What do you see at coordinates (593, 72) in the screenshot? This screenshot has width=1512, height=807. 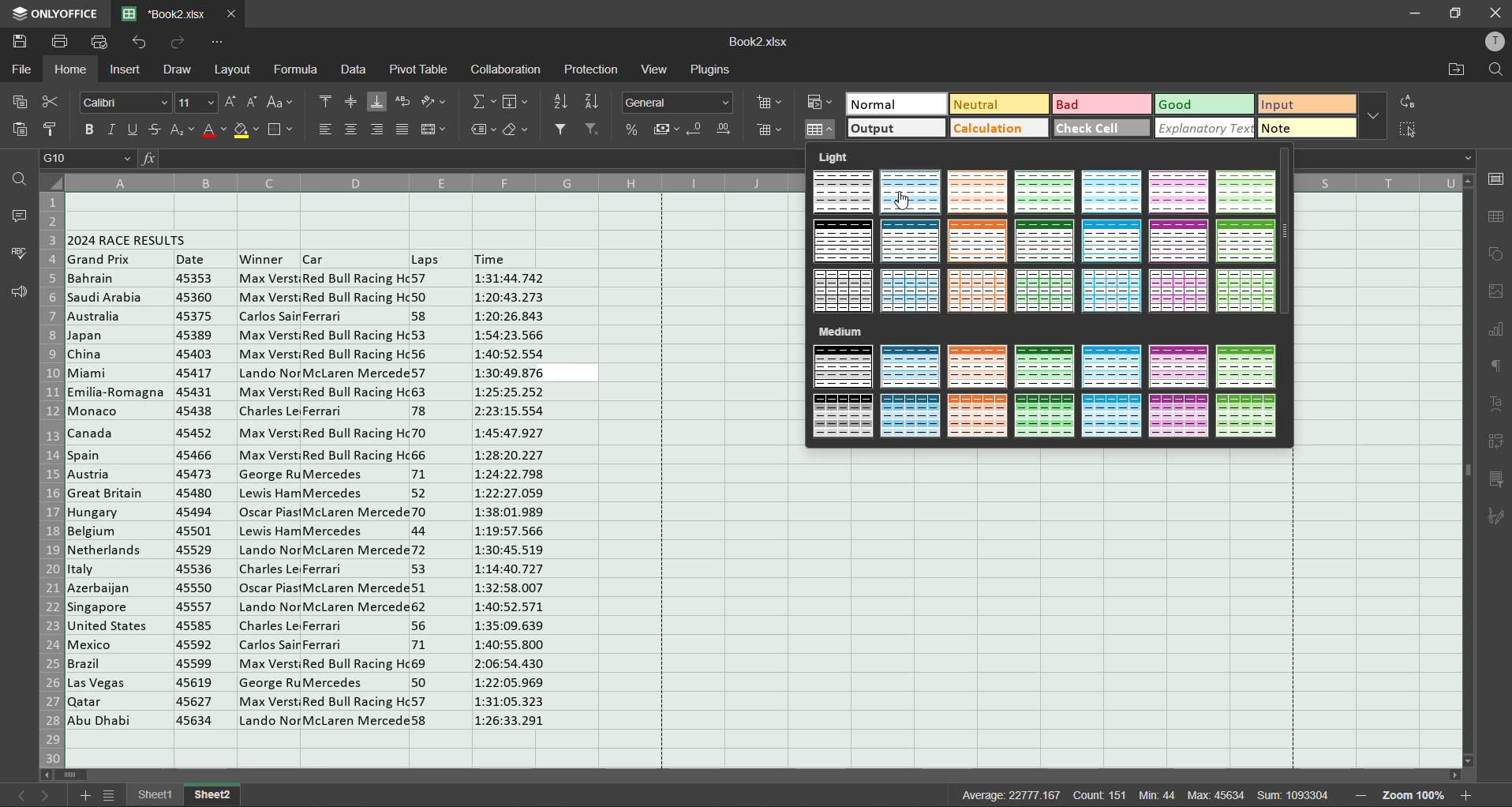 I see `protection` at bounding box center [593, 72].